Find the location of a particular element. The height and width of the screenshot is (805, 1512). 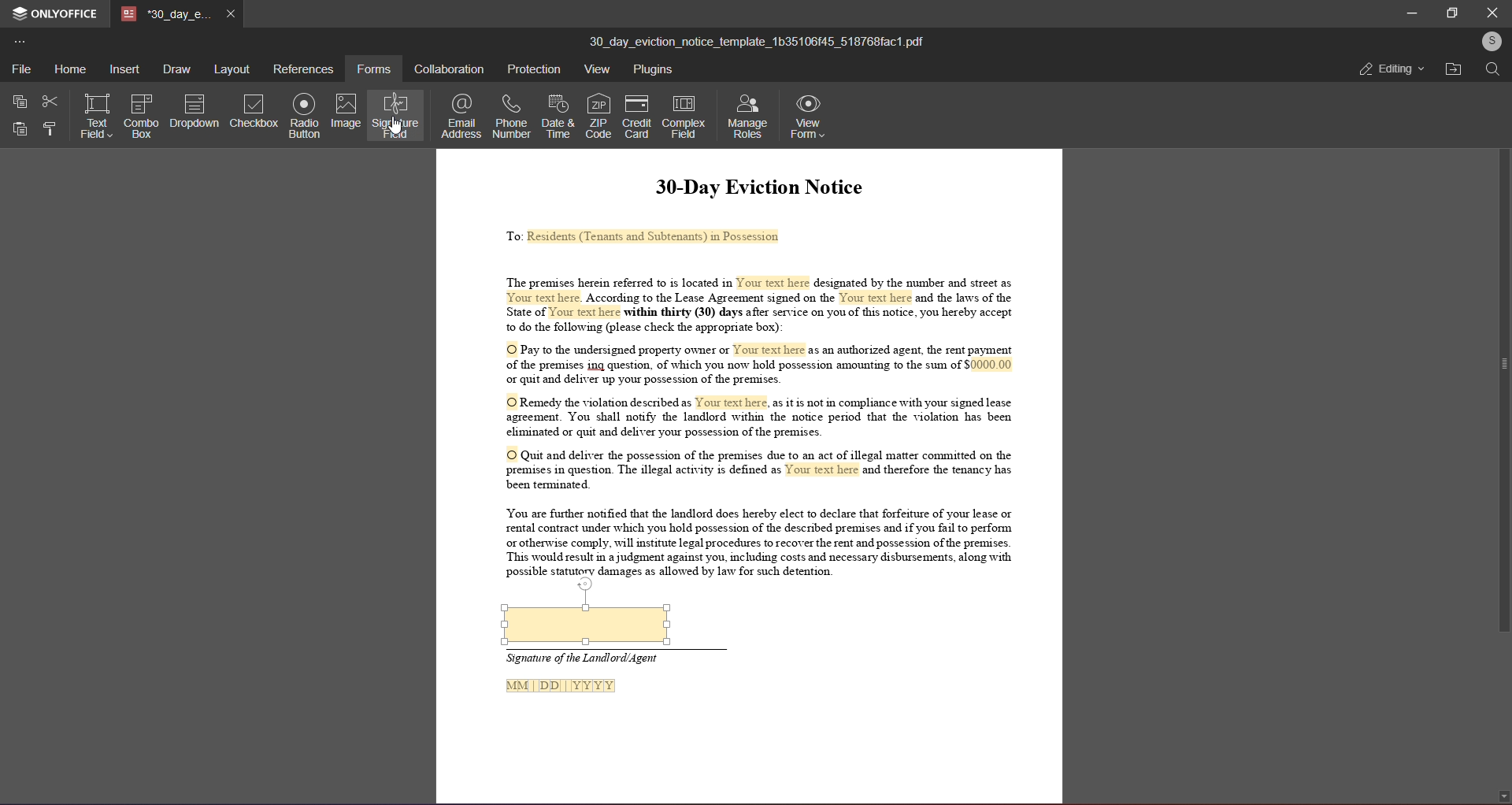

more is located at coordinates (24, 42).